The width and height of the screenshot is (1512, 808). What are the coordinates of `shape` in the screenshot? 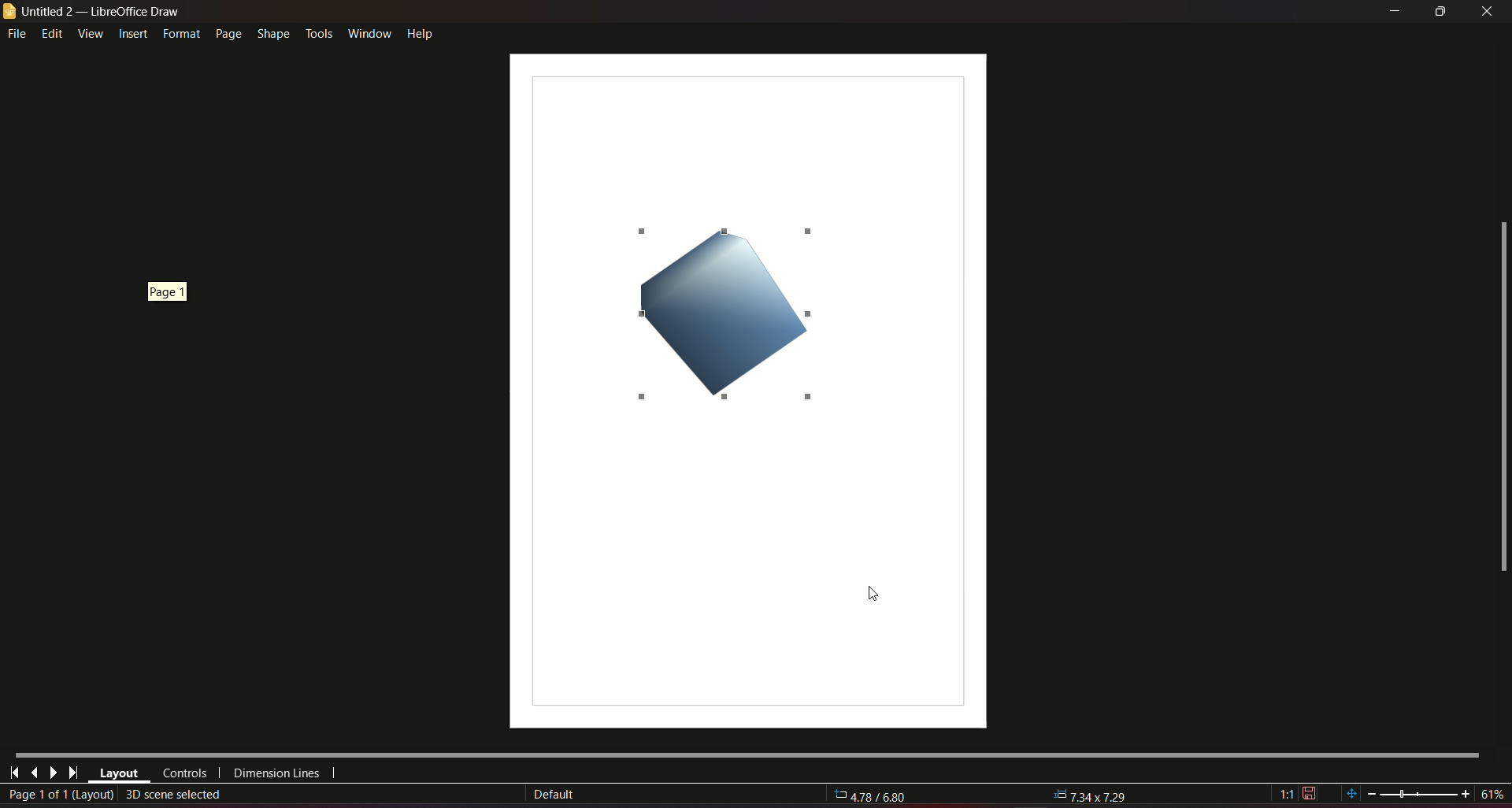 It's located at (272, 32).